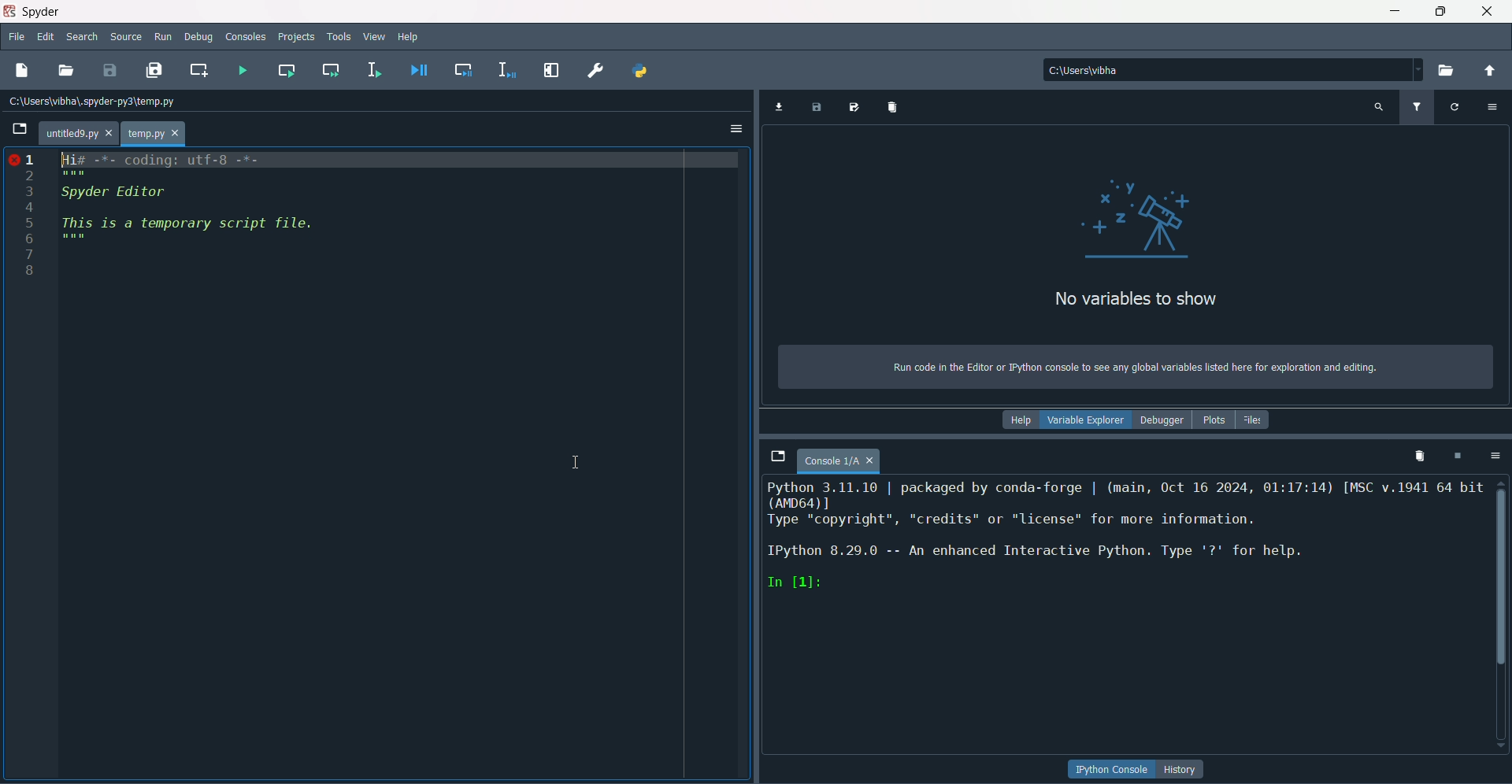 This screenshot has width=1512, height=784. Describe the element at coordinates (330, 68) in the screenshot. I see `run current and go to next` at that location.